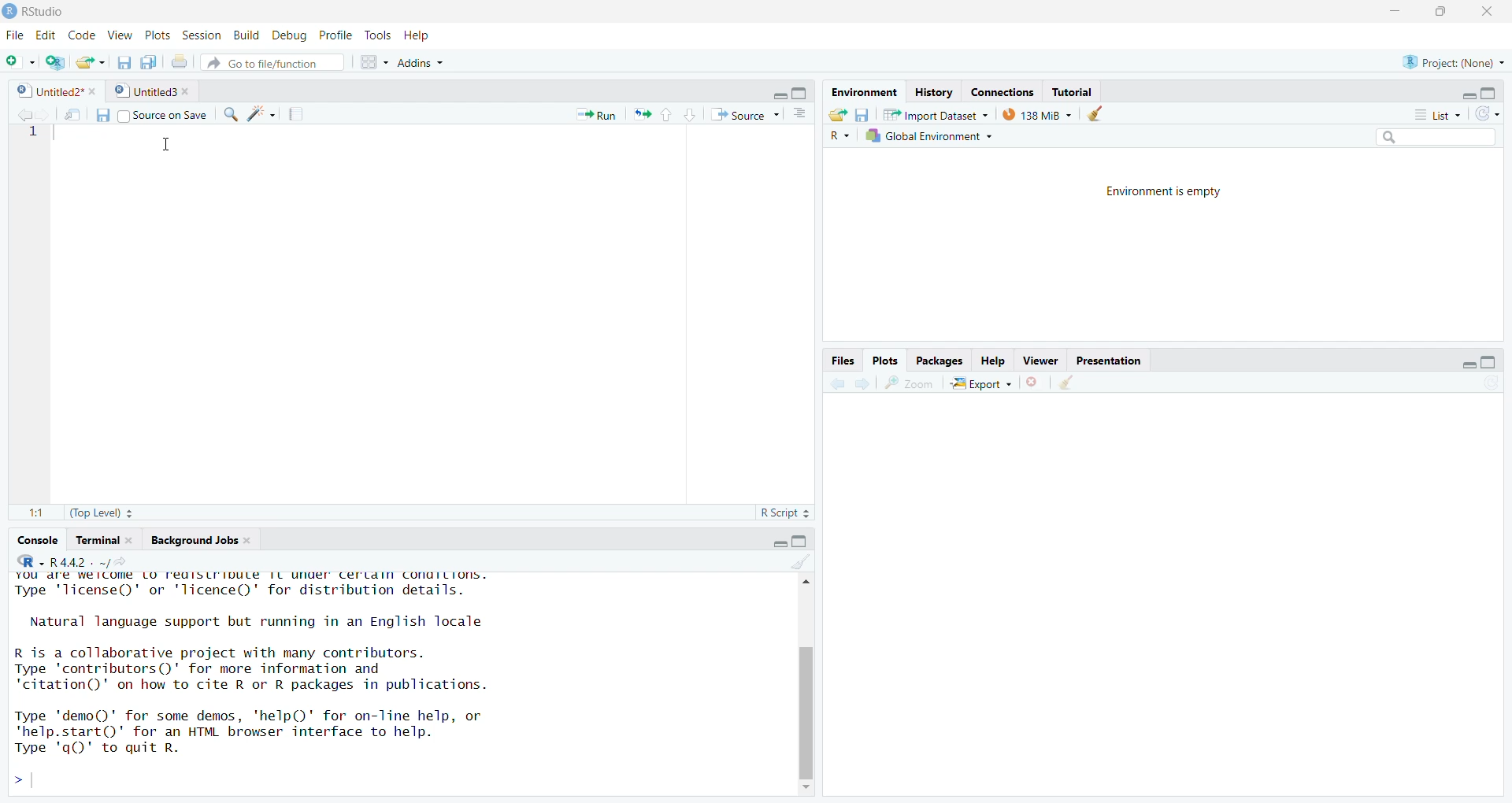  Describe the element at coordinates (1475, 90) in the screenshot. I see `maximize/minimize` at that location.